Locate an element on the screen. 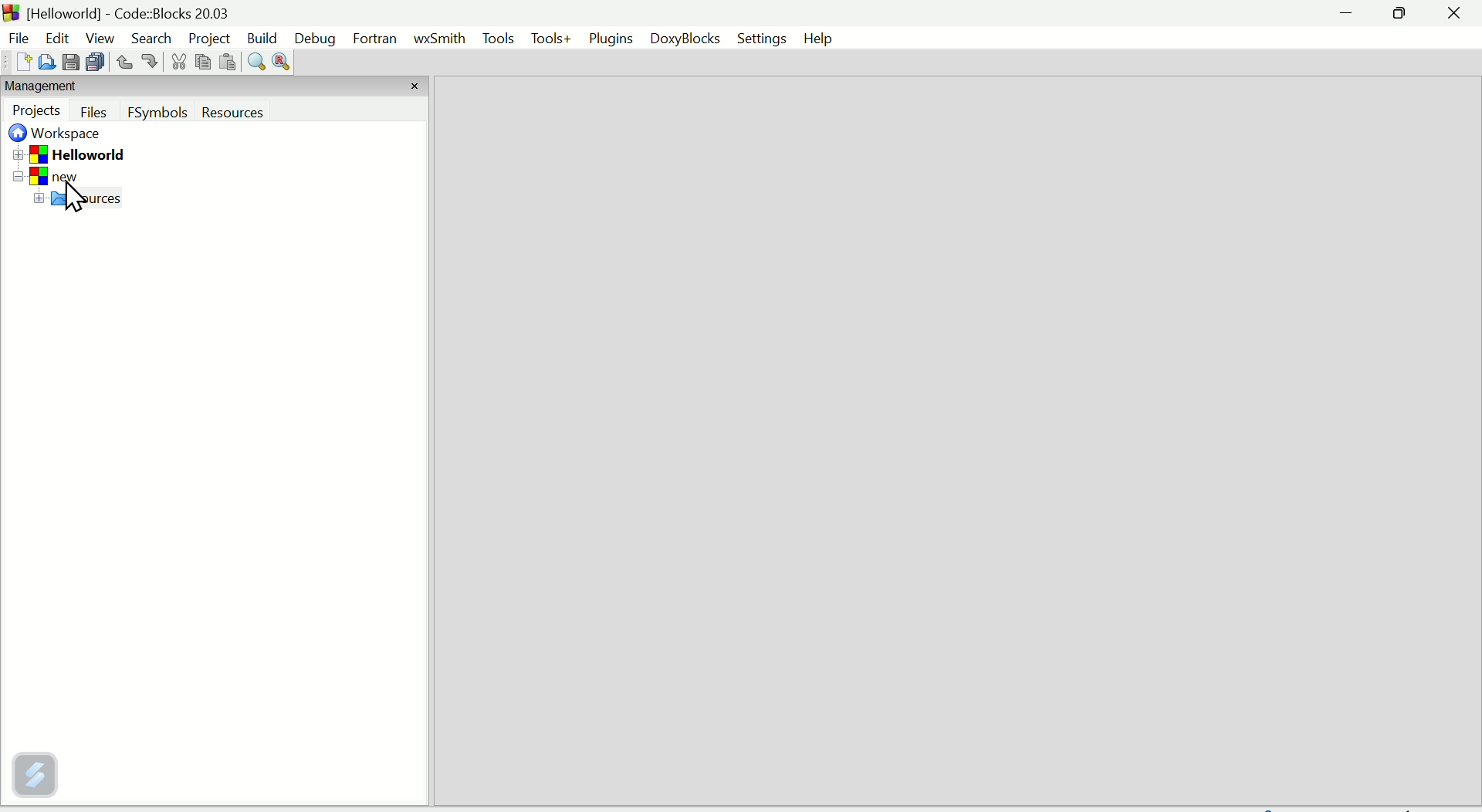 This screenshot has width=1482, height=812. Open is located at coordinates (46, 61).